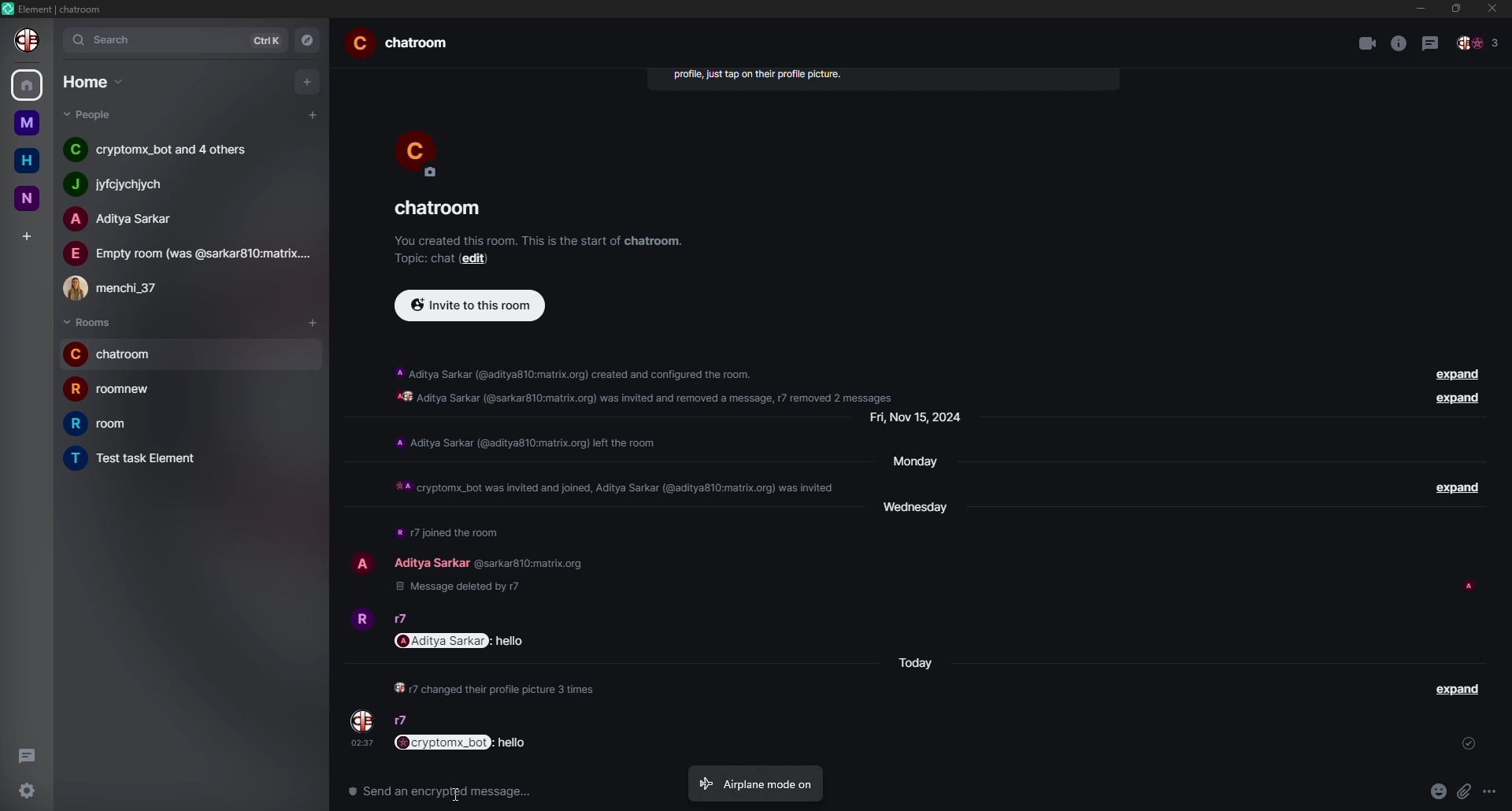 This screenshot has height=811, width=1512. Describe the element at coordinates (1437, 791) in the screenshot. I see `emoji` at that location.